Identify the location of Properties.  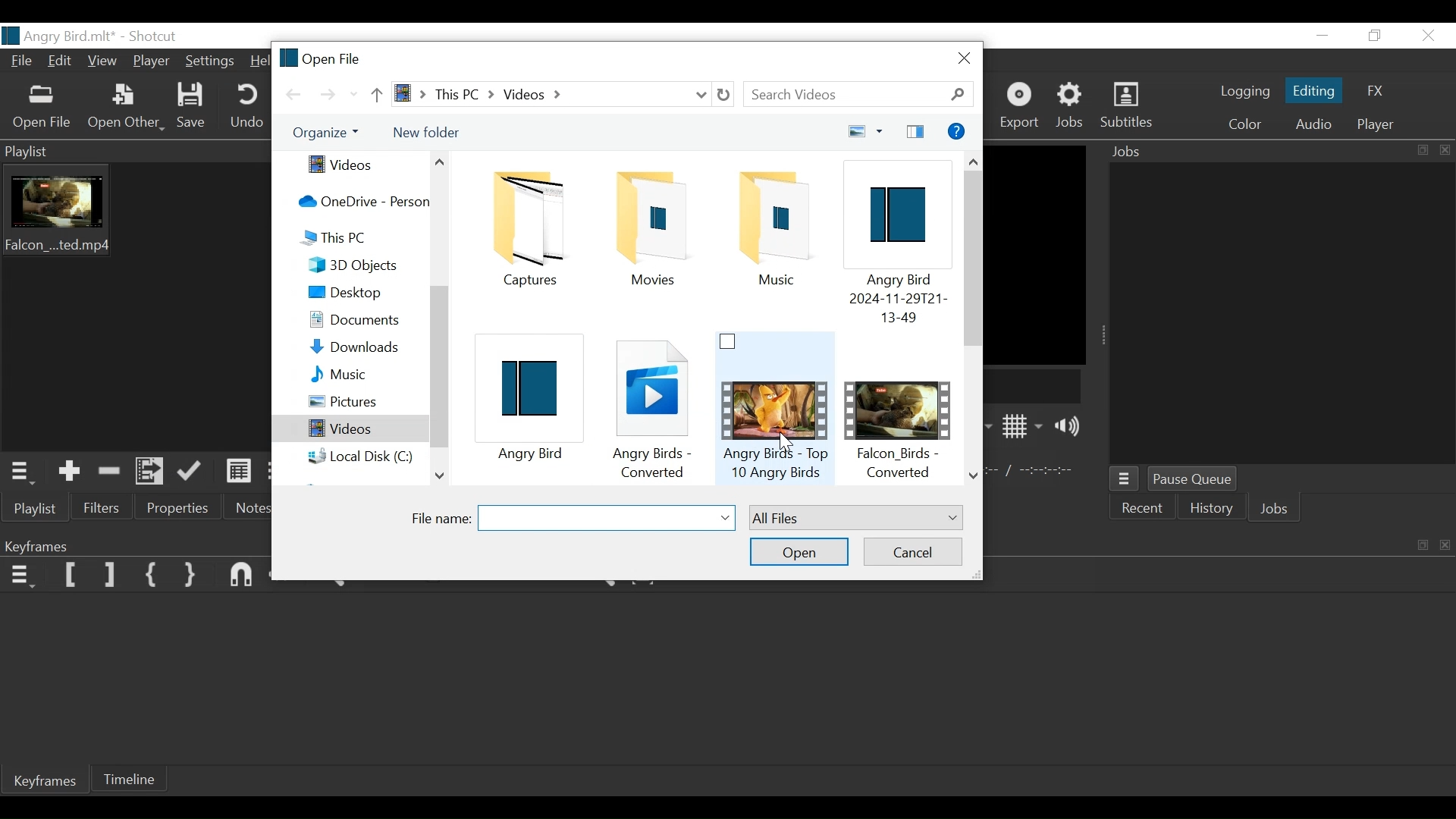
(177, 507).